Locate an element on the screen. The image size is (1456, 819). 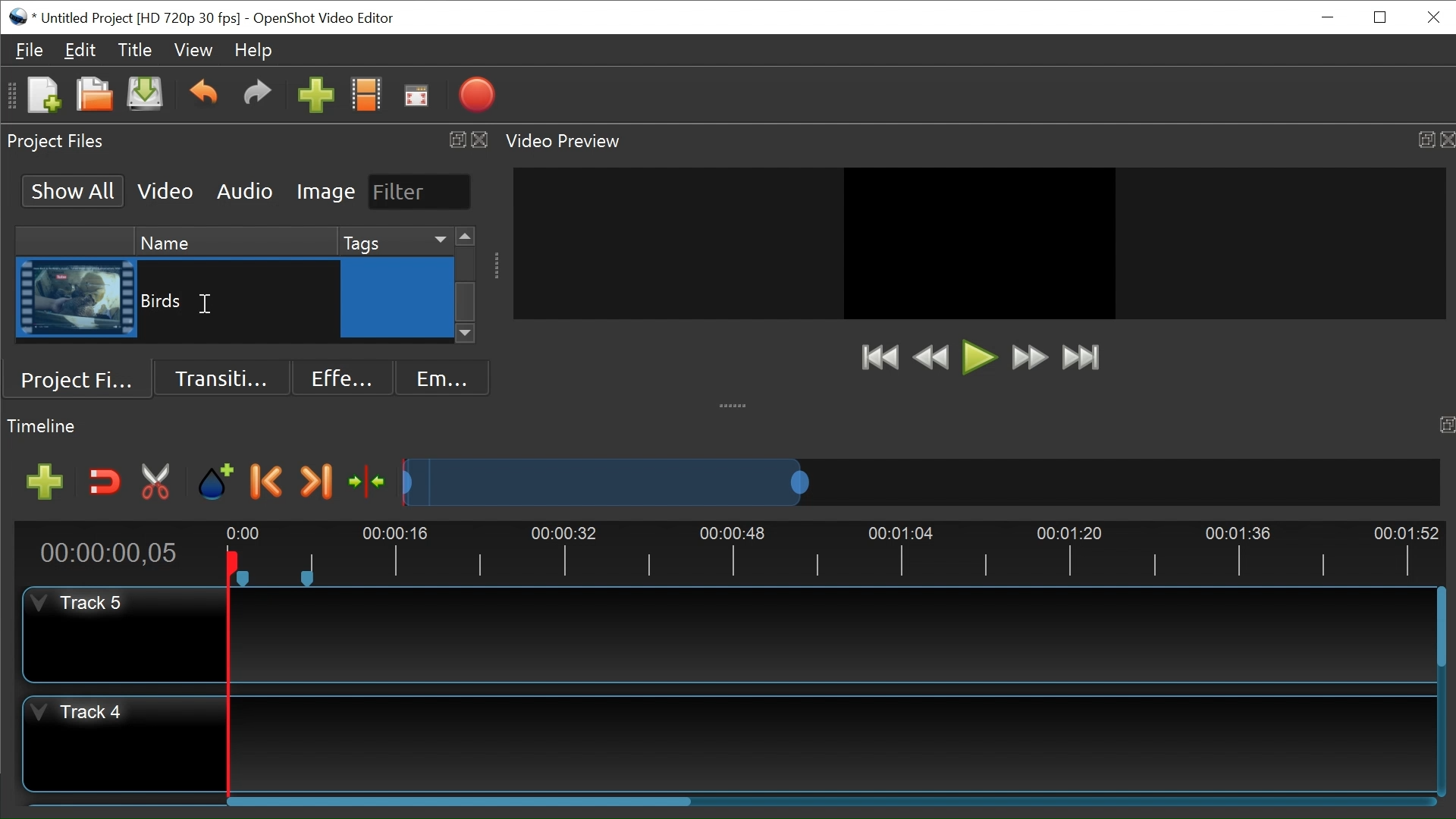
Video is located at coordinates (166, 190).